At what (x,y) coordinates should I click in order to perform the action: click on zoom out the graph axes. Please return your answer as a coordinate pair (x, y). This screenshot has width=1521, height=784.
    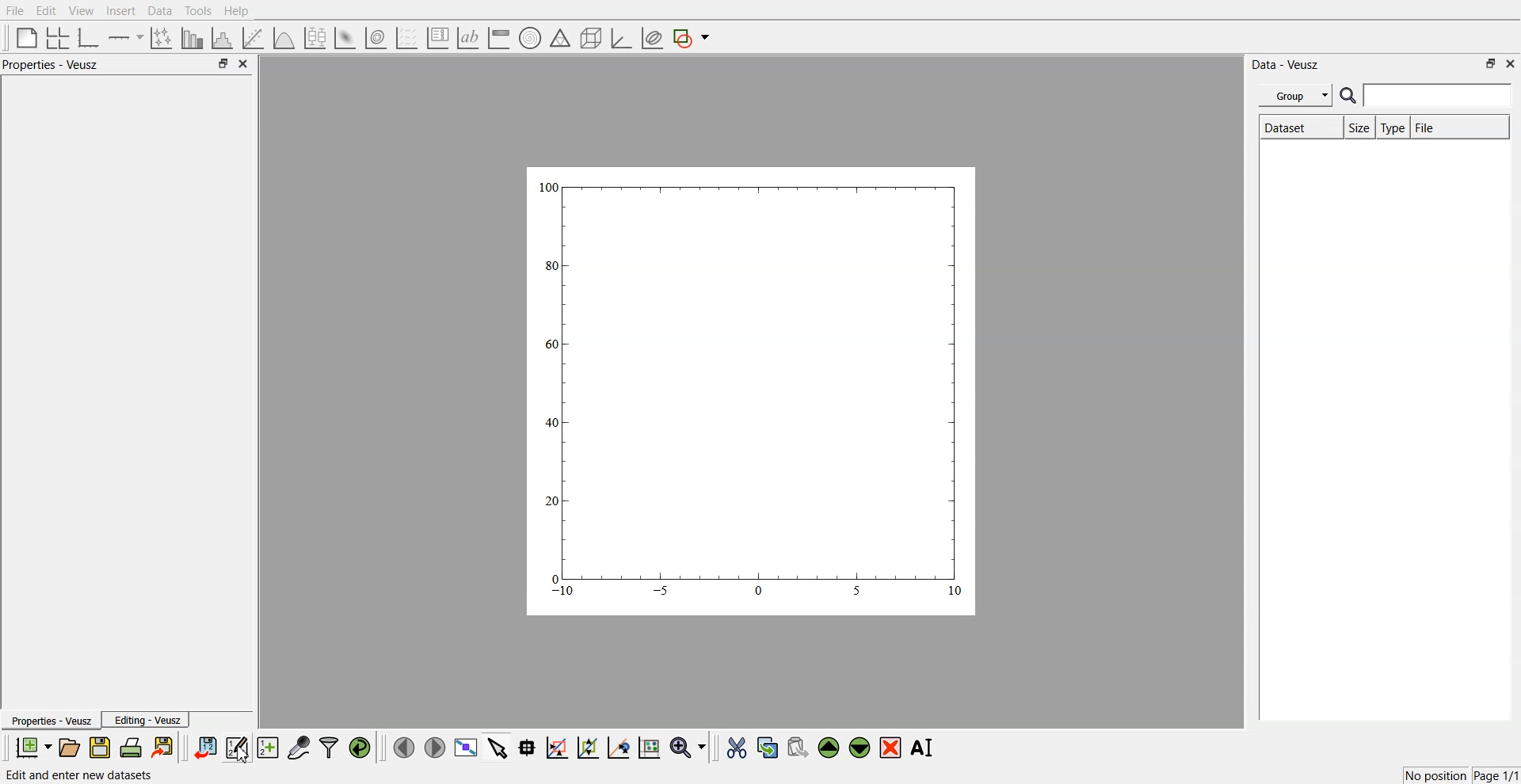
    Looking at the image, I should click on (586, 747).